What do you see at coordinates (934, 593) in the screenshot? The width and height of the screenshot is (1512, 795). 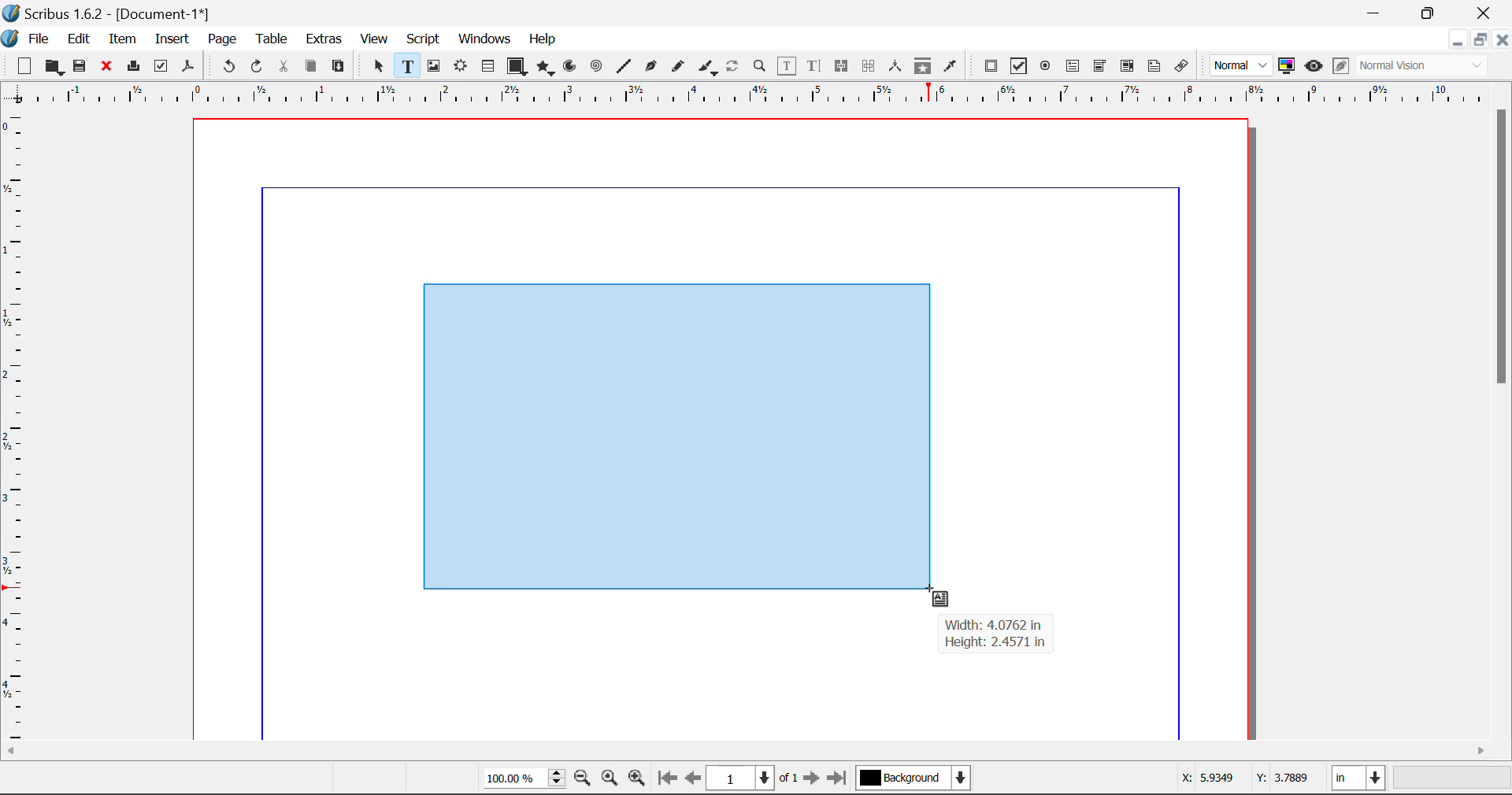 I see `DRAG_TO Cursor Position` at bounding box center [934, 593].